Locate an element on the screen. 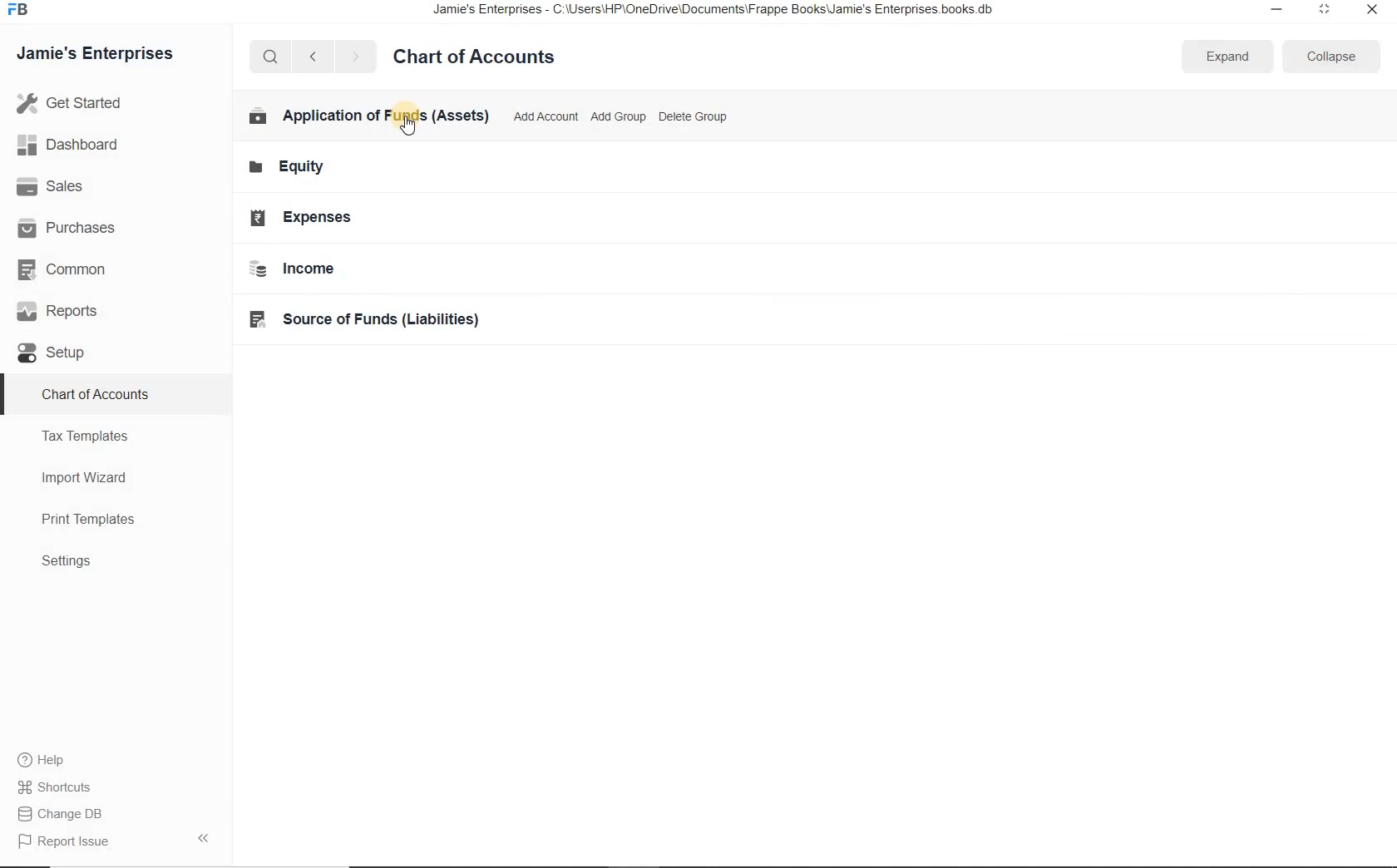  Purchases is located at coordinates (75, 227).